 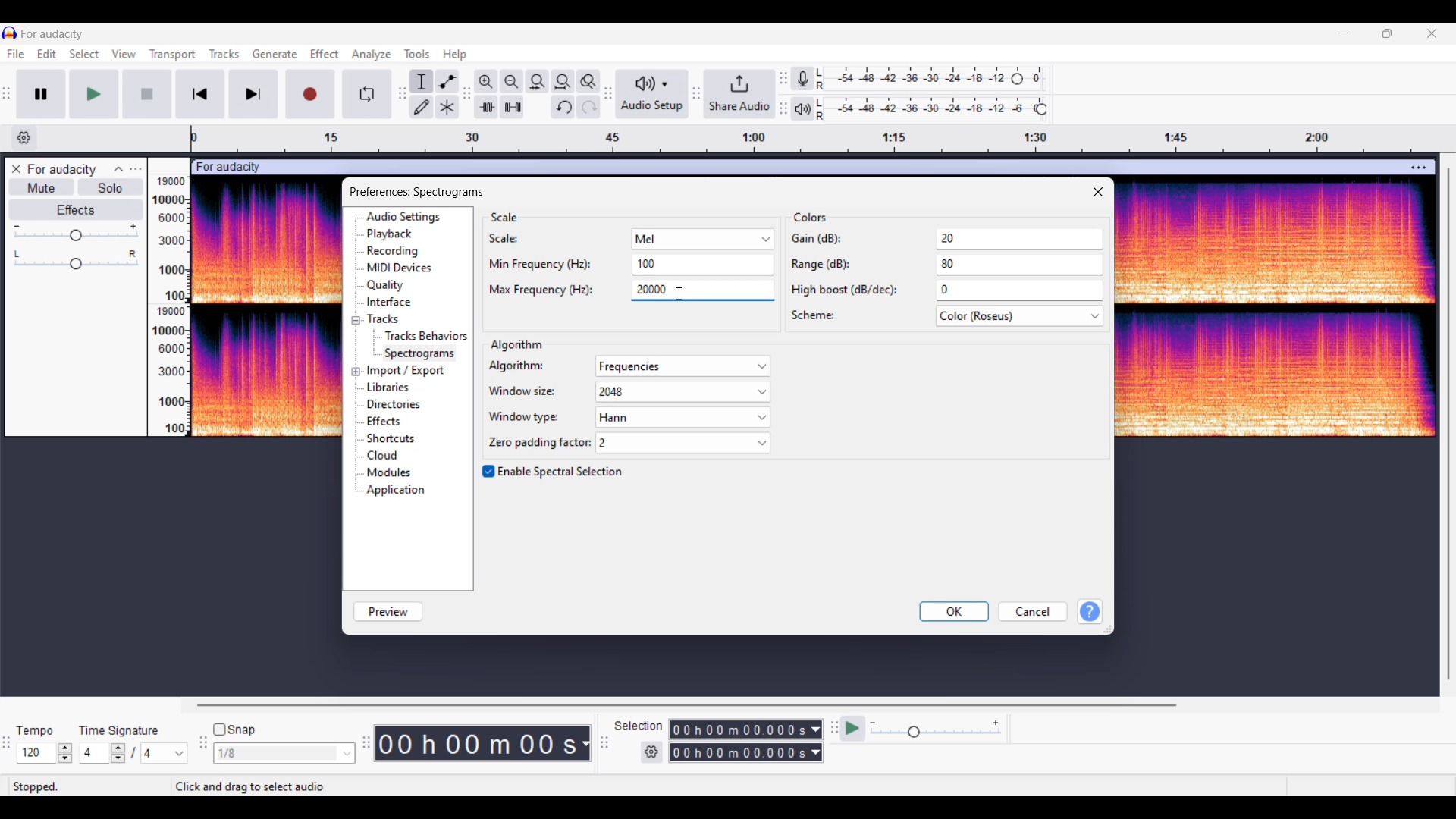 What do you see at coordinates (422, 353) in the screenshot?
I see `spectrogram` at bounding box center [422, 353].